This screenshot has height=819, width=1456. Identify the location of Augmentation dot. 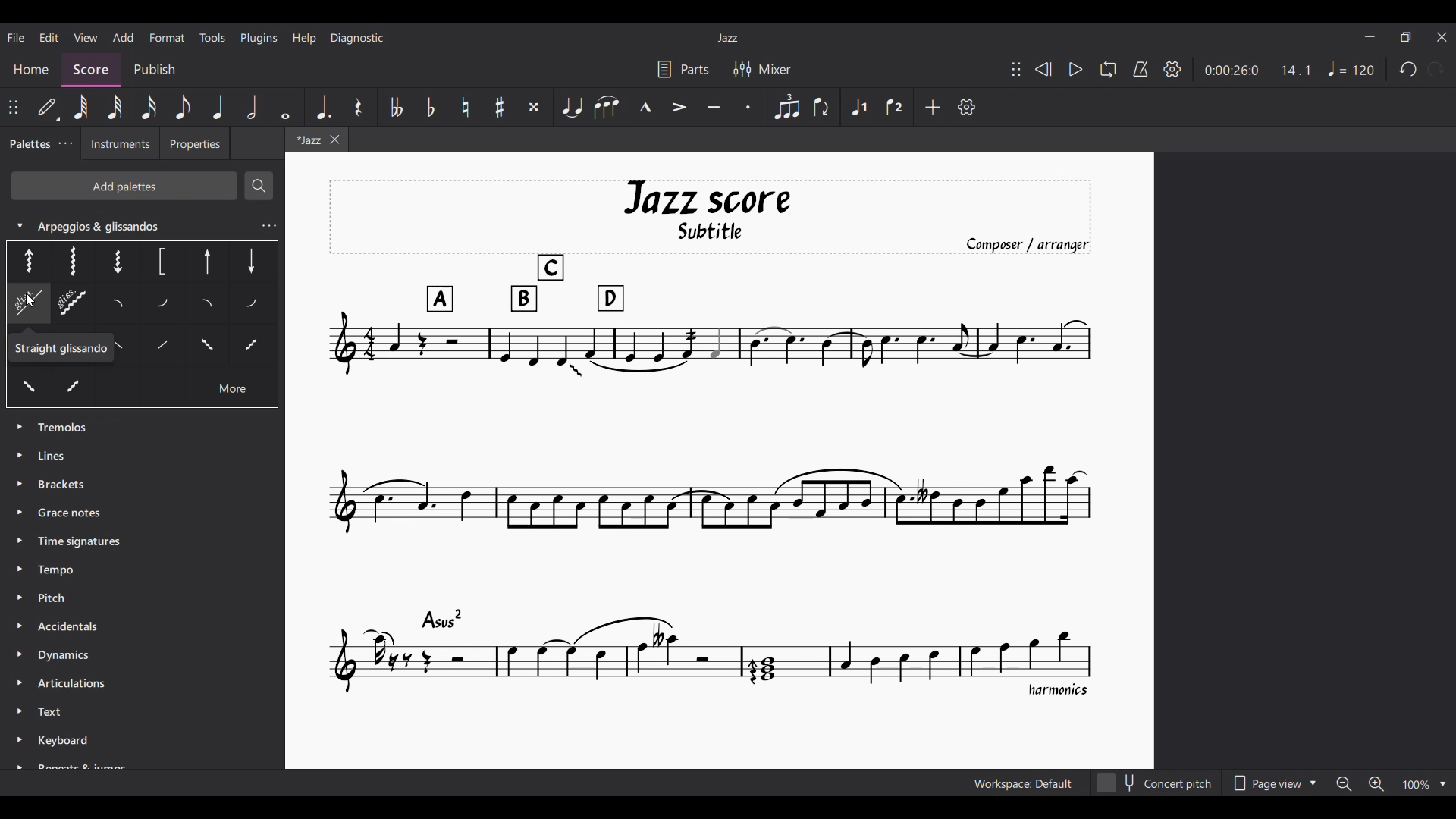
(322, 107).